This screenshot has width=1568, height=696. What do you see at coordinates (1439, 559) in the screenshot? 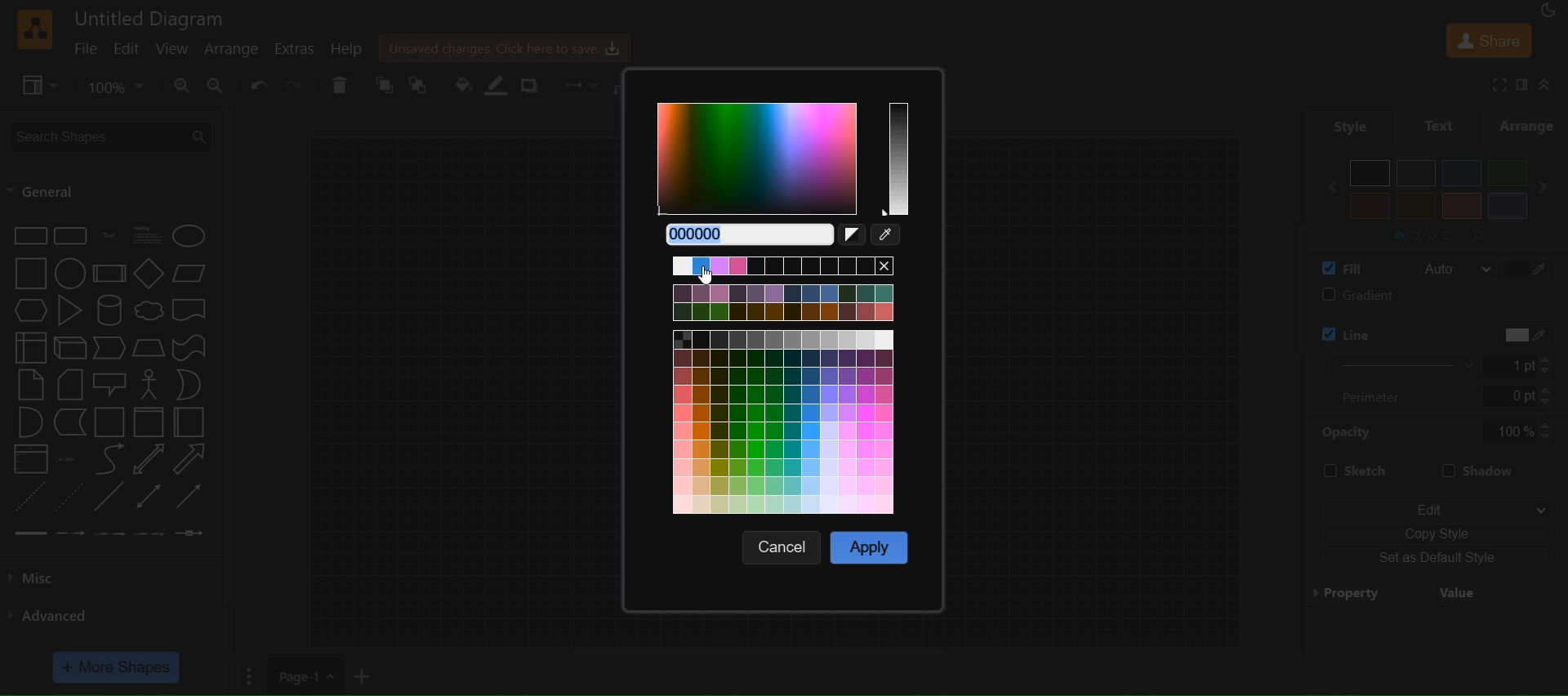
I see `set as default style` at bounding box center [1439, 559].